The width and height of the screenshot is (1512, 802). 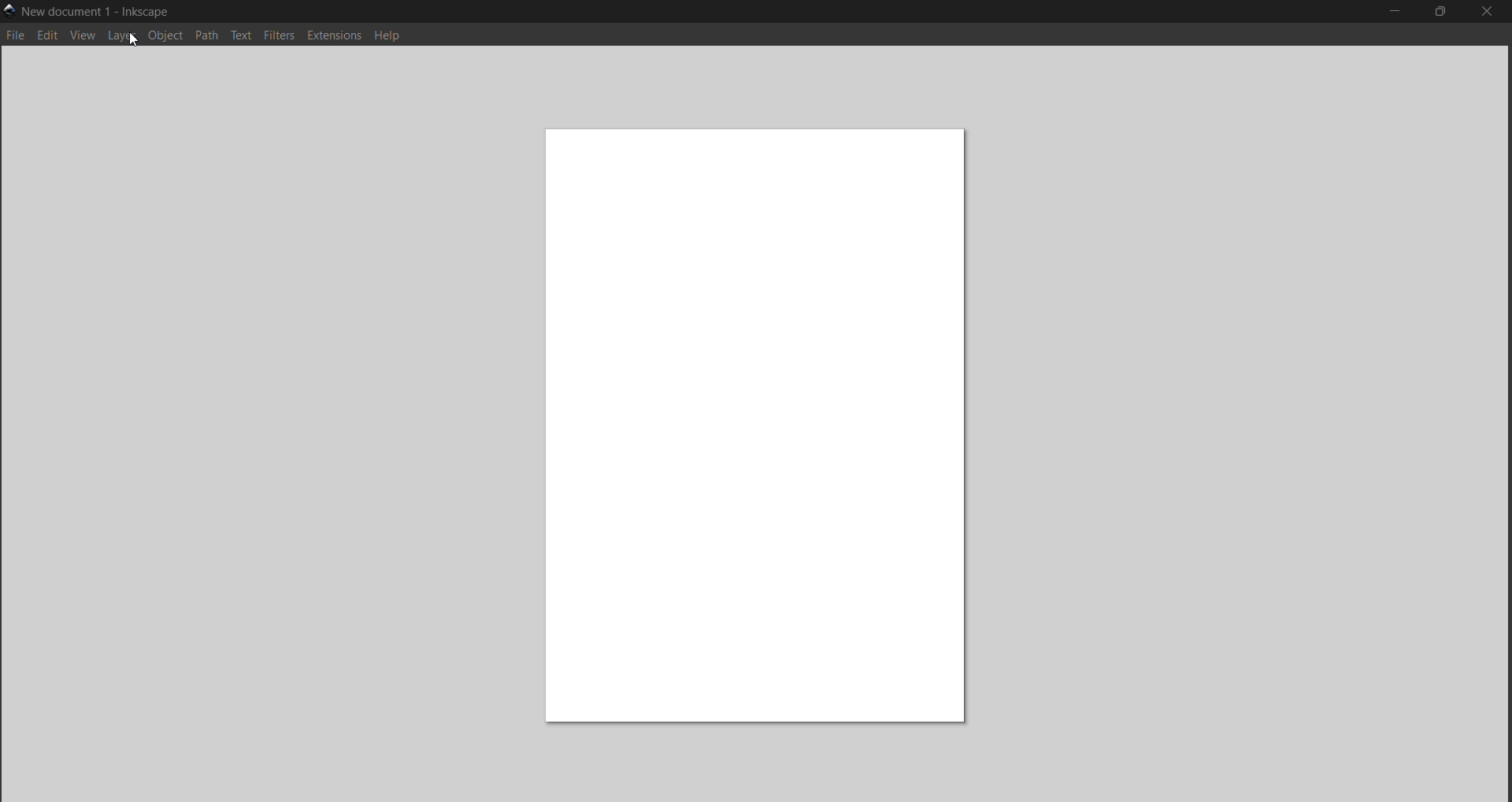 What do you see at coordinates (209, 36) in the screenshot?
I see `path` at bounding box center [209, 36].